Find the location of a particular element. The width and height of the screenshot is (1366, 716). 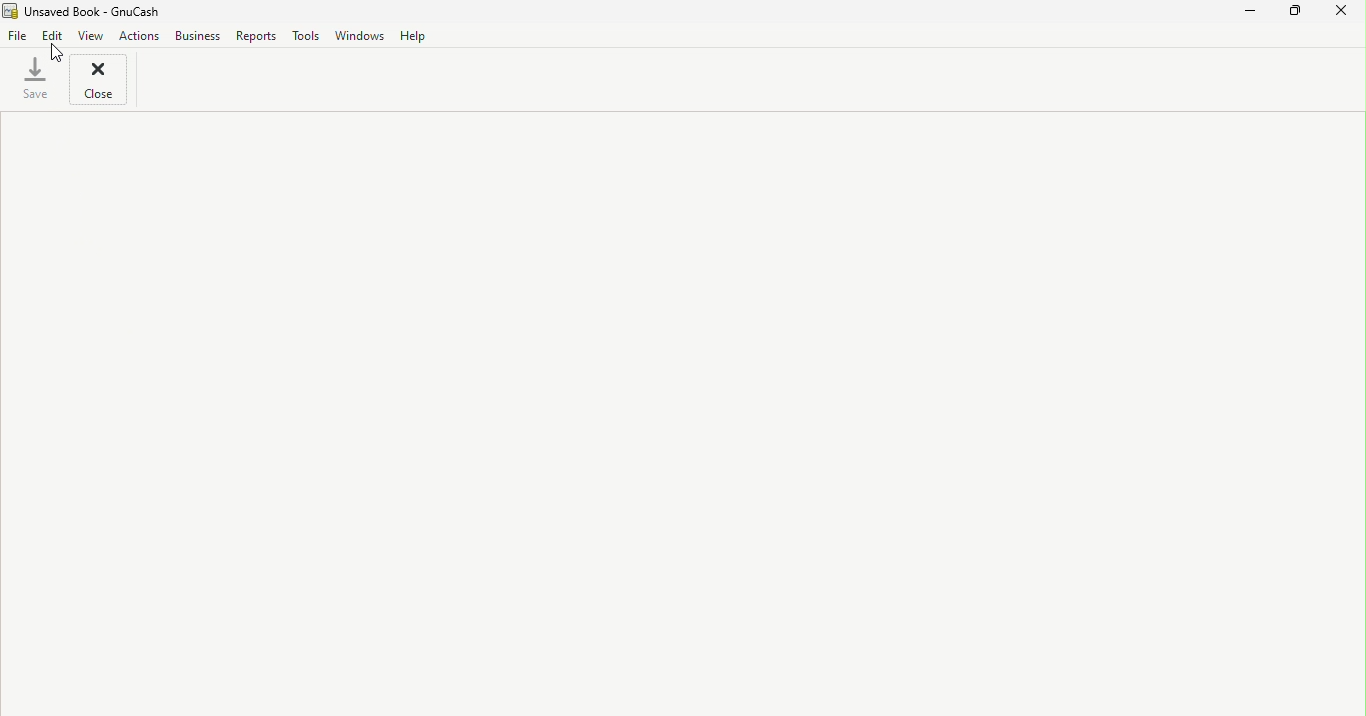

Reports is located at coordinates (254, 36).